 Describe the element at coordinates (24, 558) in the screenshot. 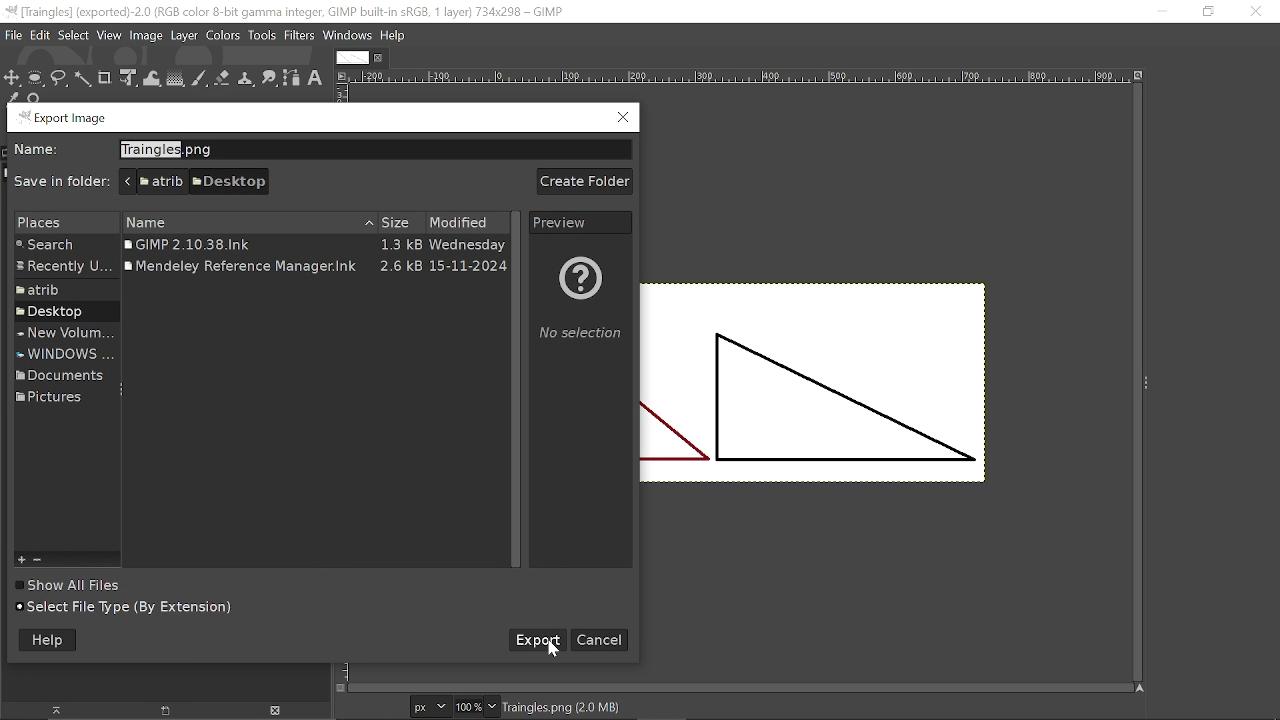

I see `Zoom in` at that location.